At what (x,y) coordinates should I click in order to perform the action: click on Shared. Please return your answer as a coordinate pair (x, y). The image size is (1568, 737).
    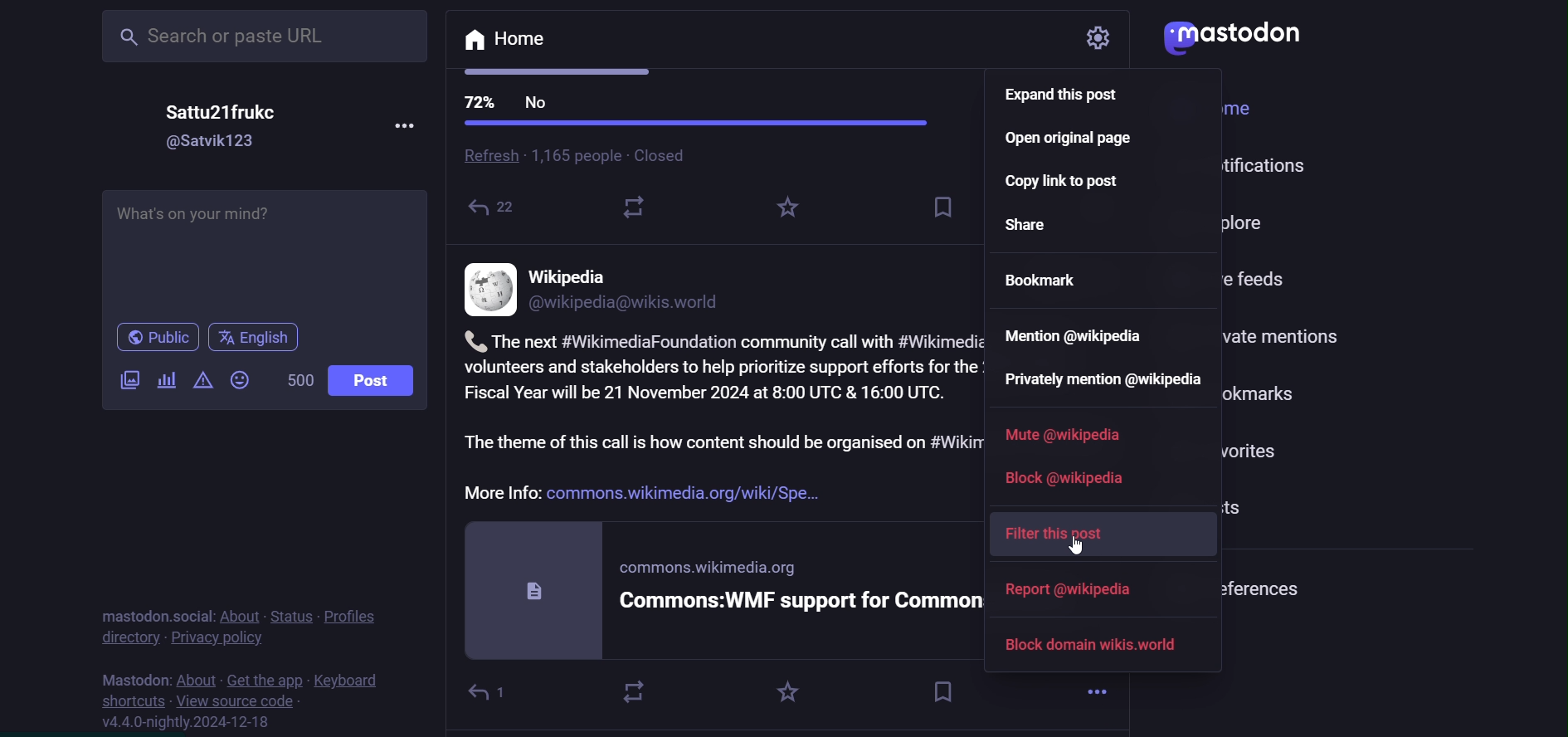
    Looking at the image, I should click on (496, 211).